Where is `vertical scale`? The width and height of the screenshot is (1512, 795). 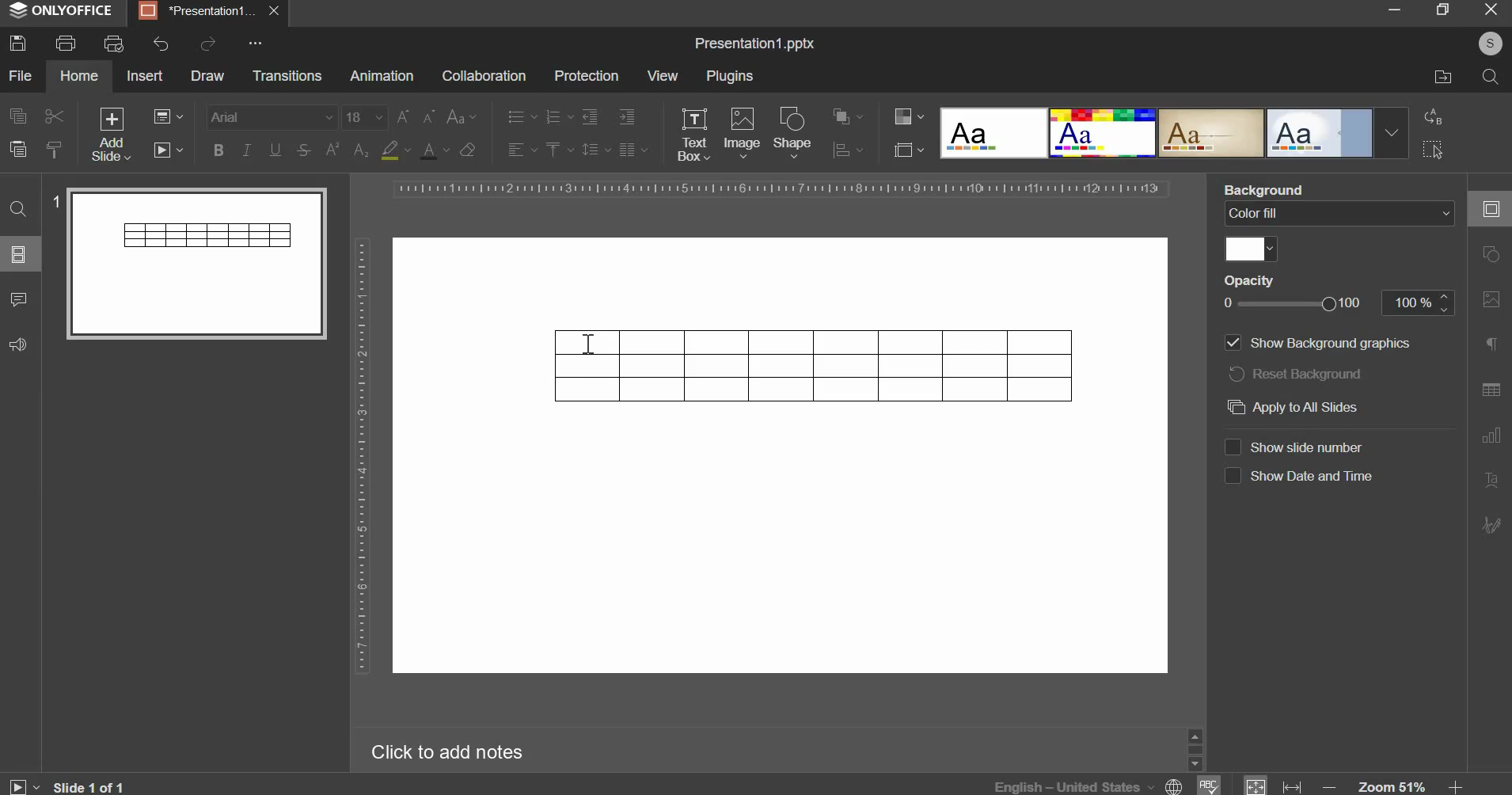
vertical scale is located at coordinates (361, 455).